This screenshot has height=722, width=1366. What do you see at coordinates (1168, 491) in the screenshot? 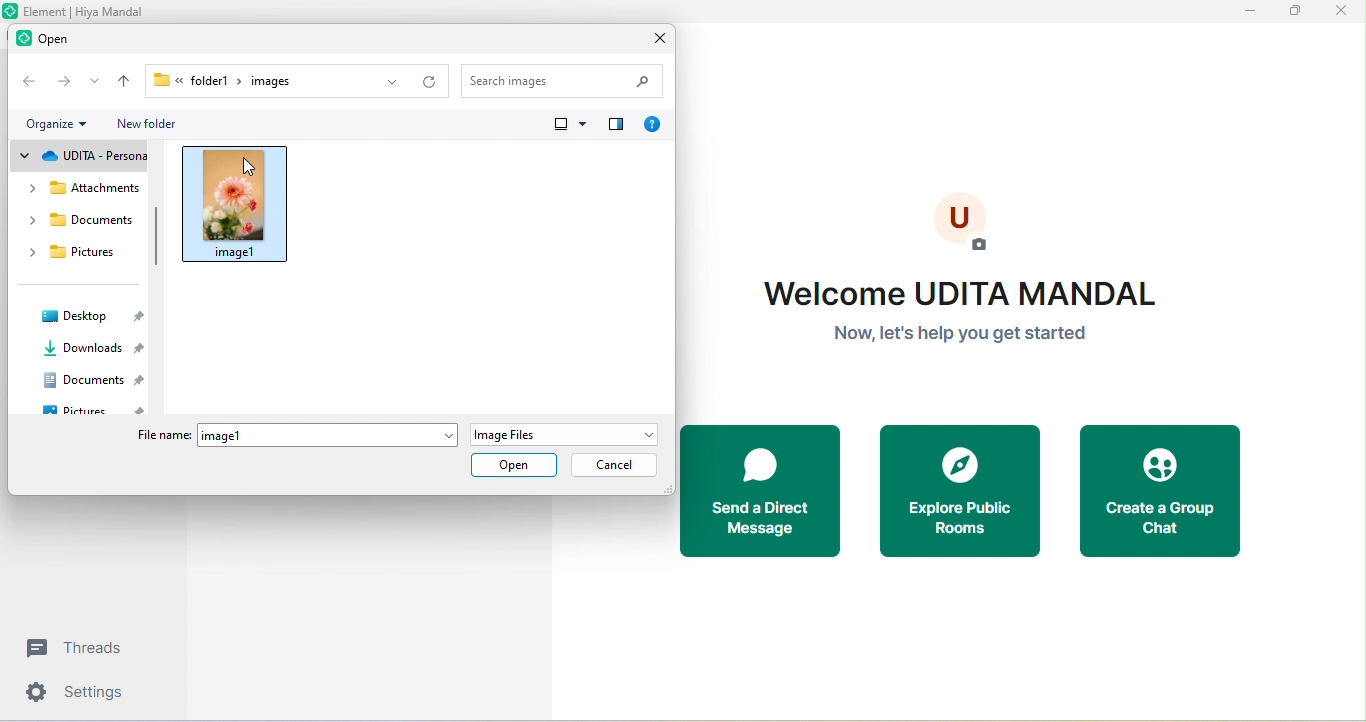
I see `create a group chat` at bounding box center [1168, 491].